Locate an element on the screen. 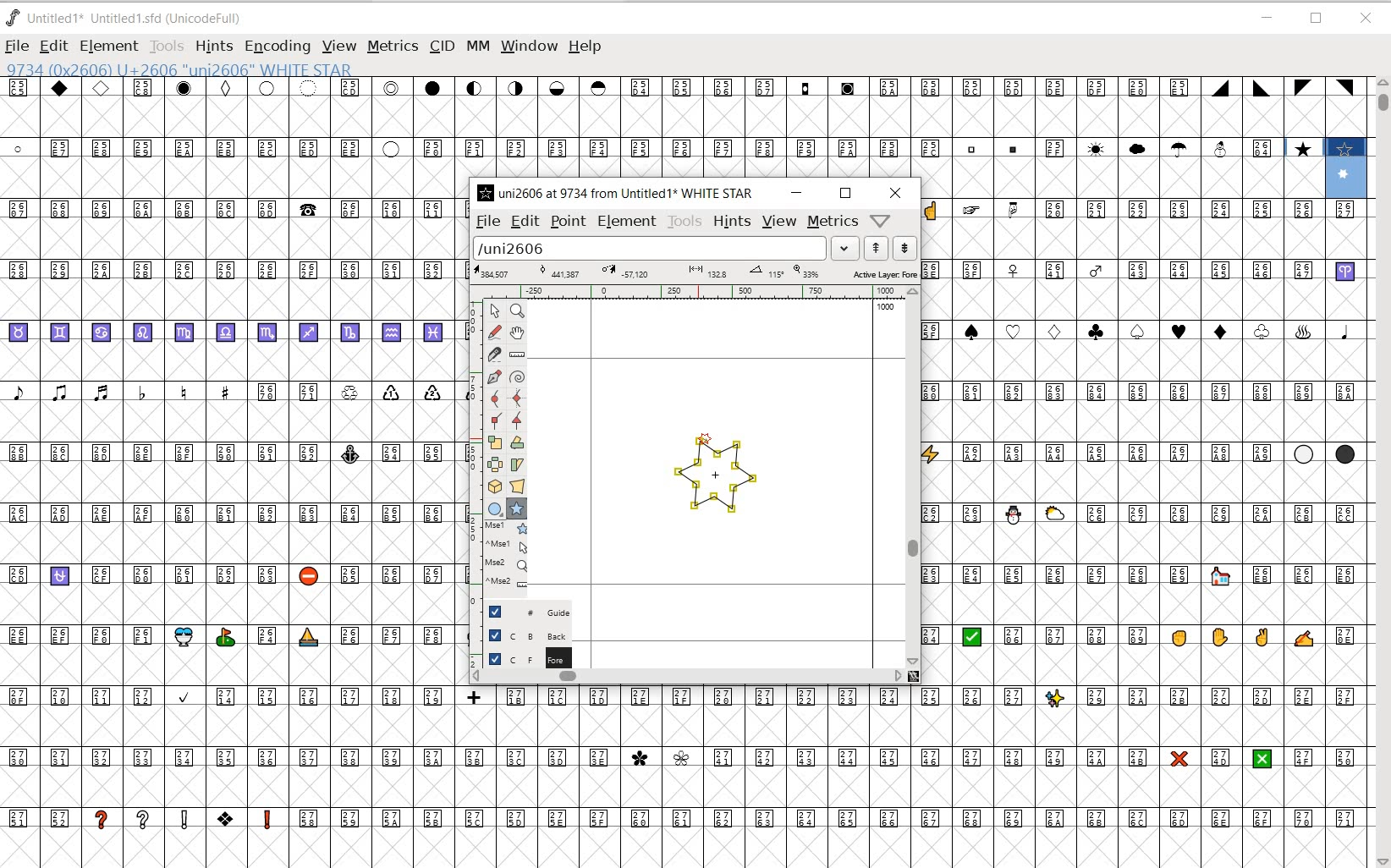  ADD A CORNER POINT is located at coordinates (498, 422).